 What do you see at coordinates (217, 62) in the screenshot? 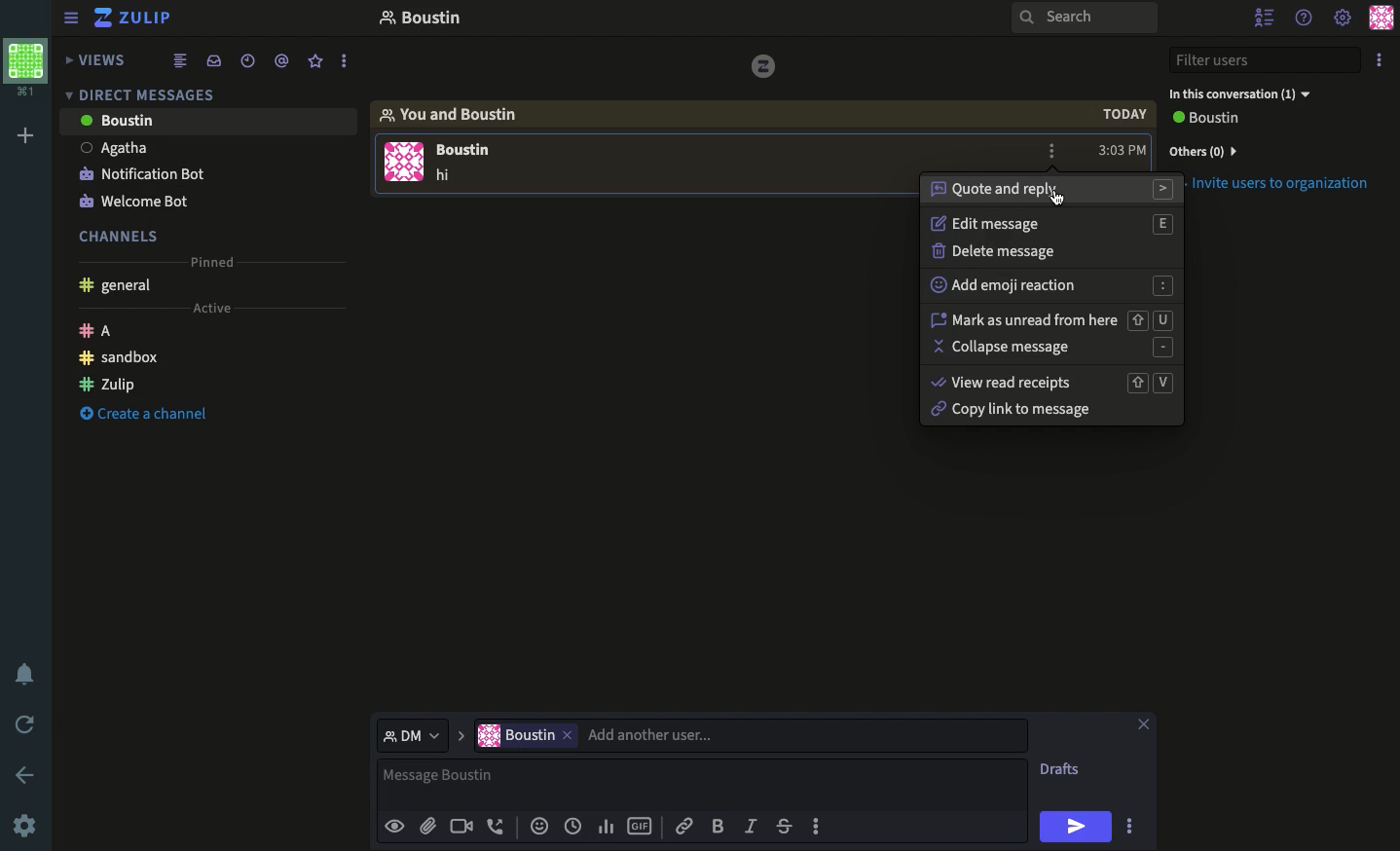
I see `Inbox` at bounding box center [217, 62].